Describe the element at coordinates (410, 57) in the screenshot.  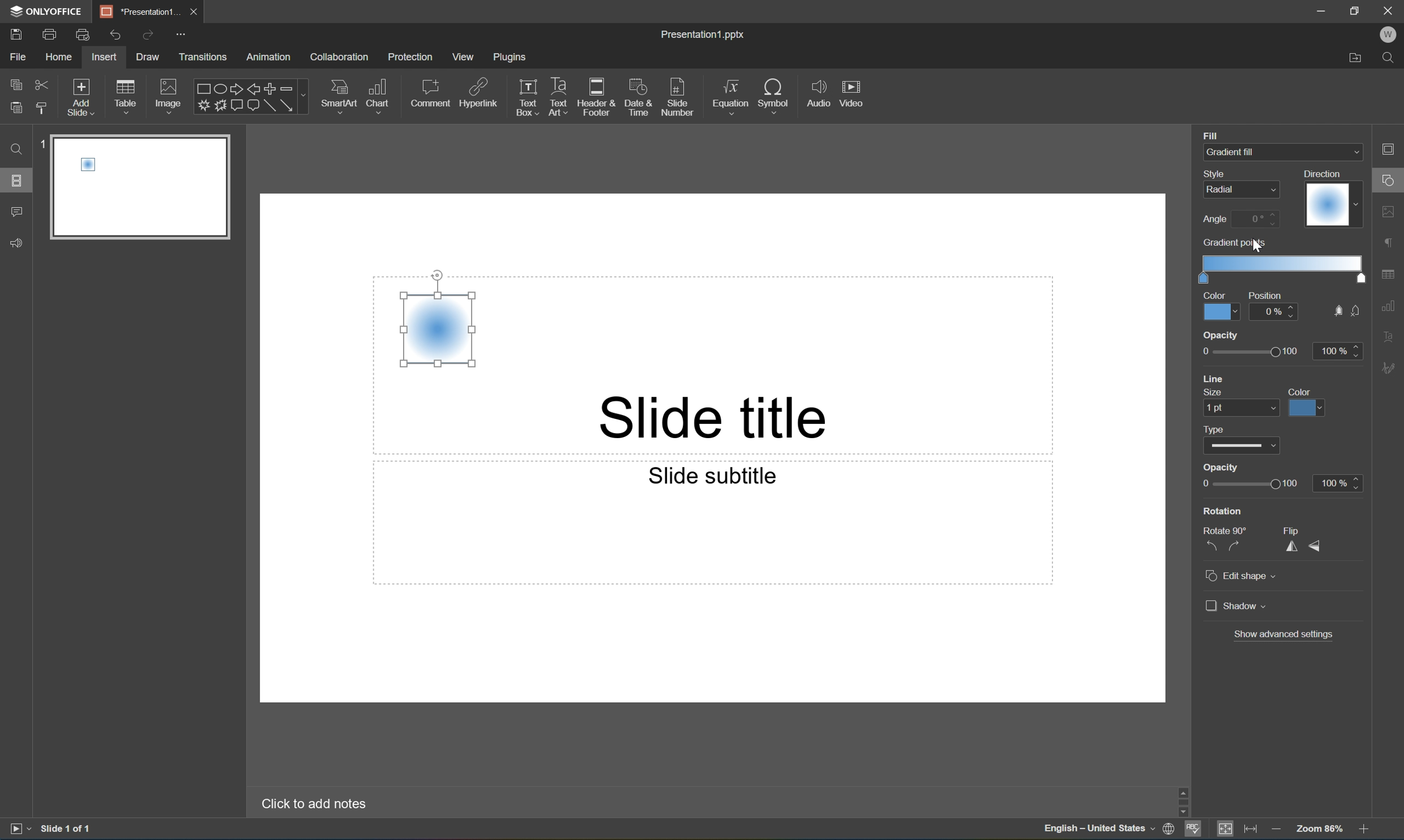
I see `Protection` at that location.